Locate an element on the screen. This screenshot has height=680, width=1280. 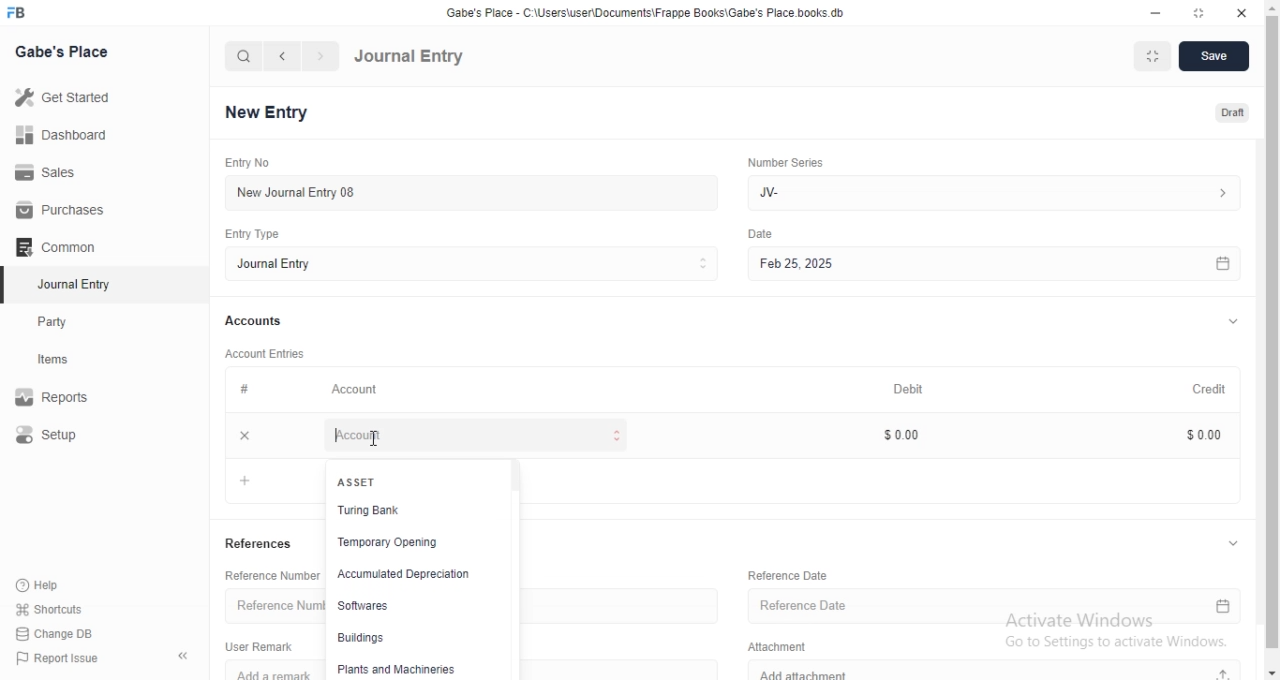
Debit is located at coordinates (919, 388).